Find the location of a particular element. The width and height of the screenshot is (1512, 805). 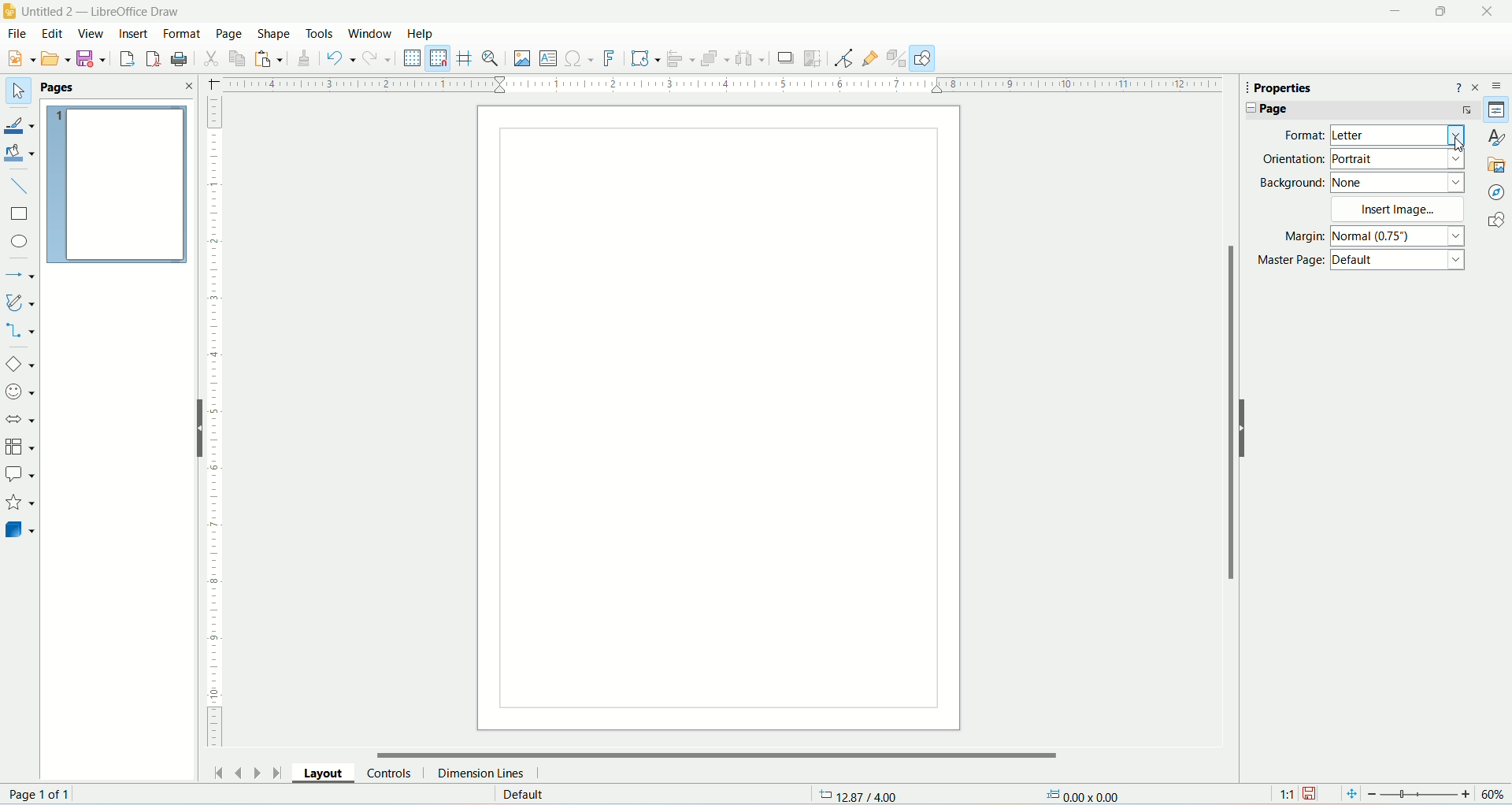

layouts is located at coordinates (328, 773).